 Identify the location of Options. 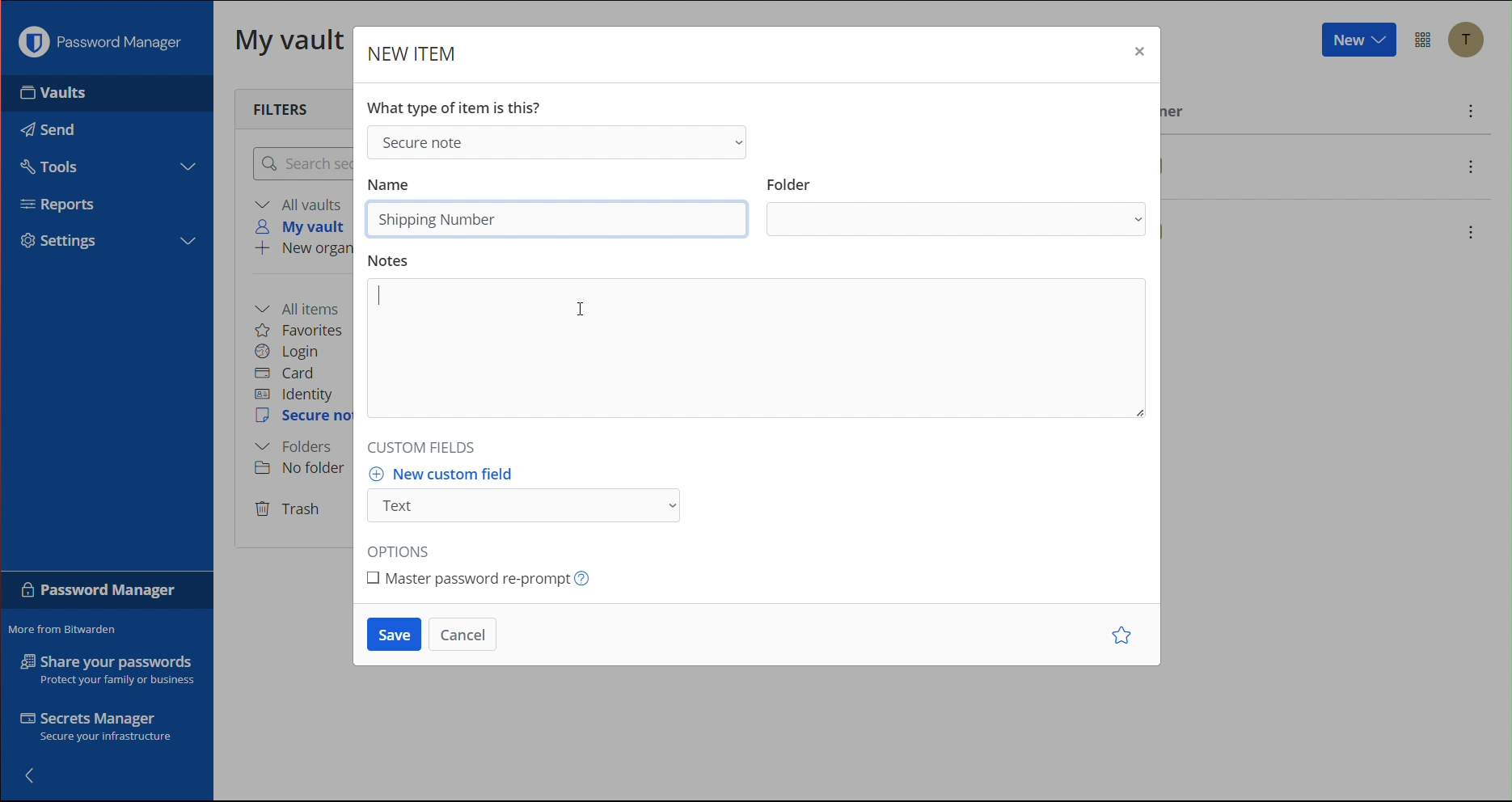
(403, 548).